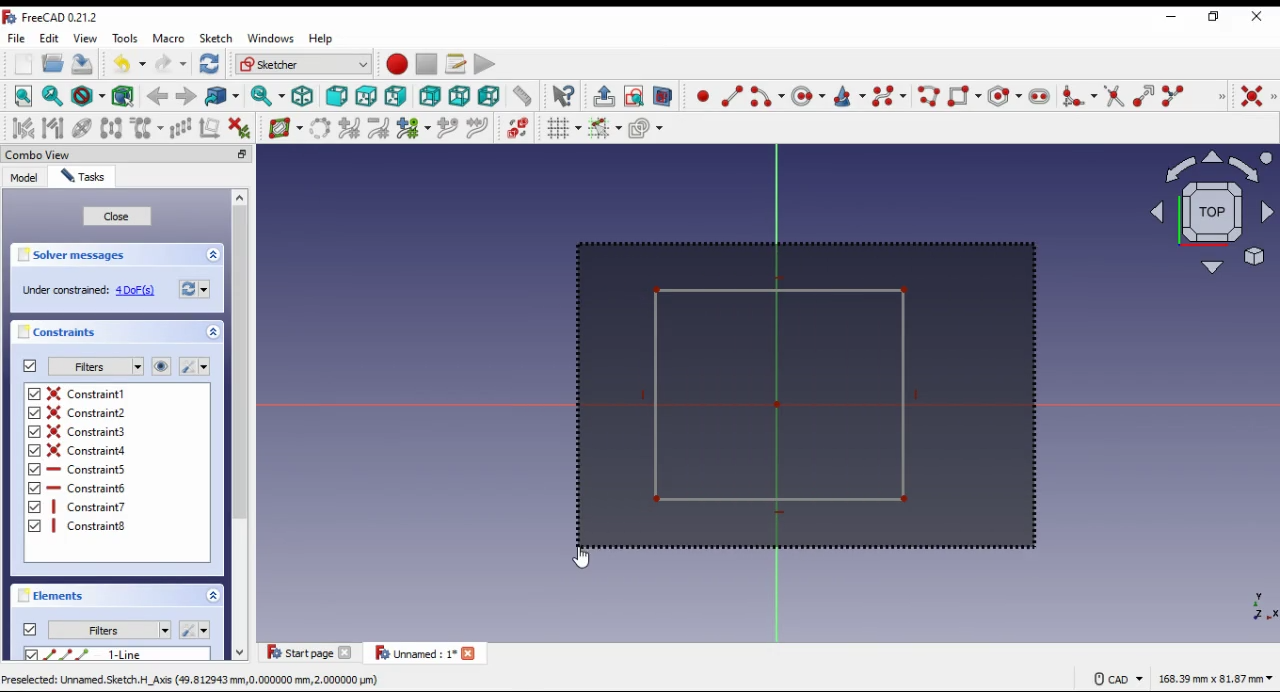 The image size is (1280, 692). Describe the element at coordinates (91, 526) in the screenshot. I see `Constraint` at that location.